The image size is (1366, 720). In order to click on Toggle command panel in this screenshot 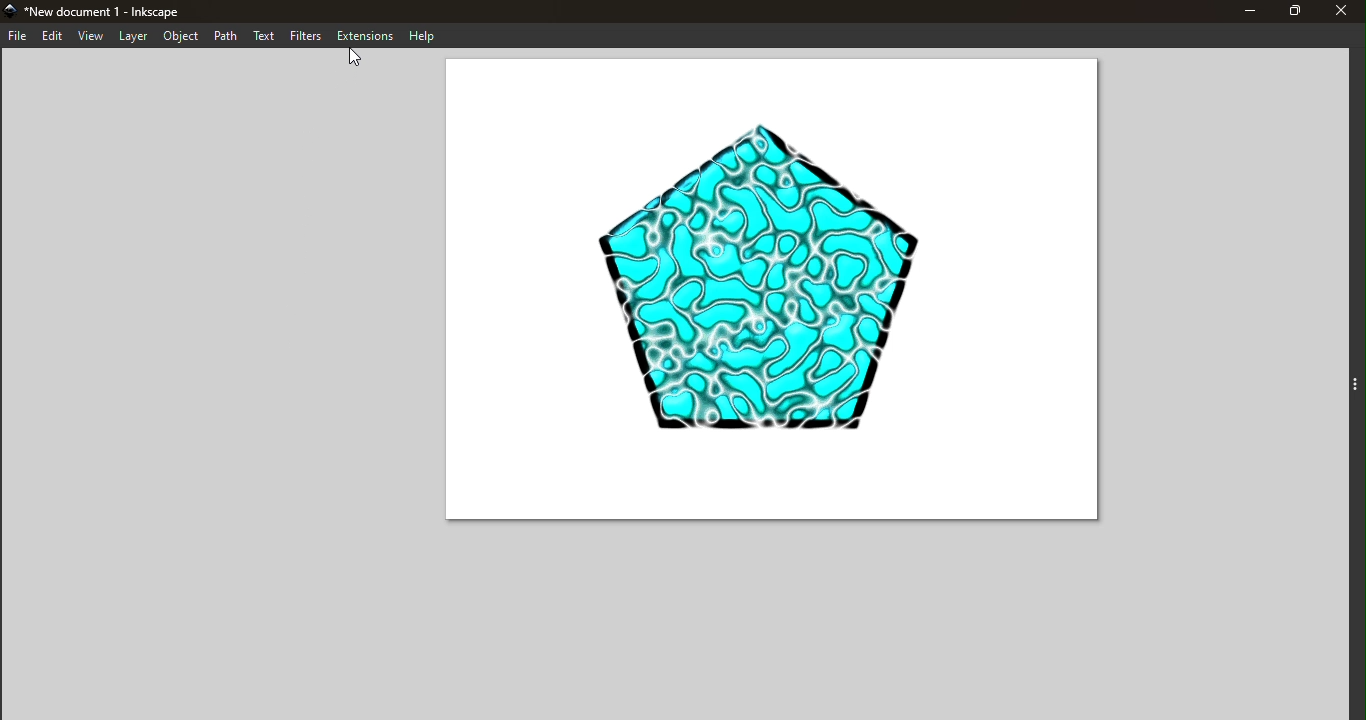, I will do `click(1358, 381)`.